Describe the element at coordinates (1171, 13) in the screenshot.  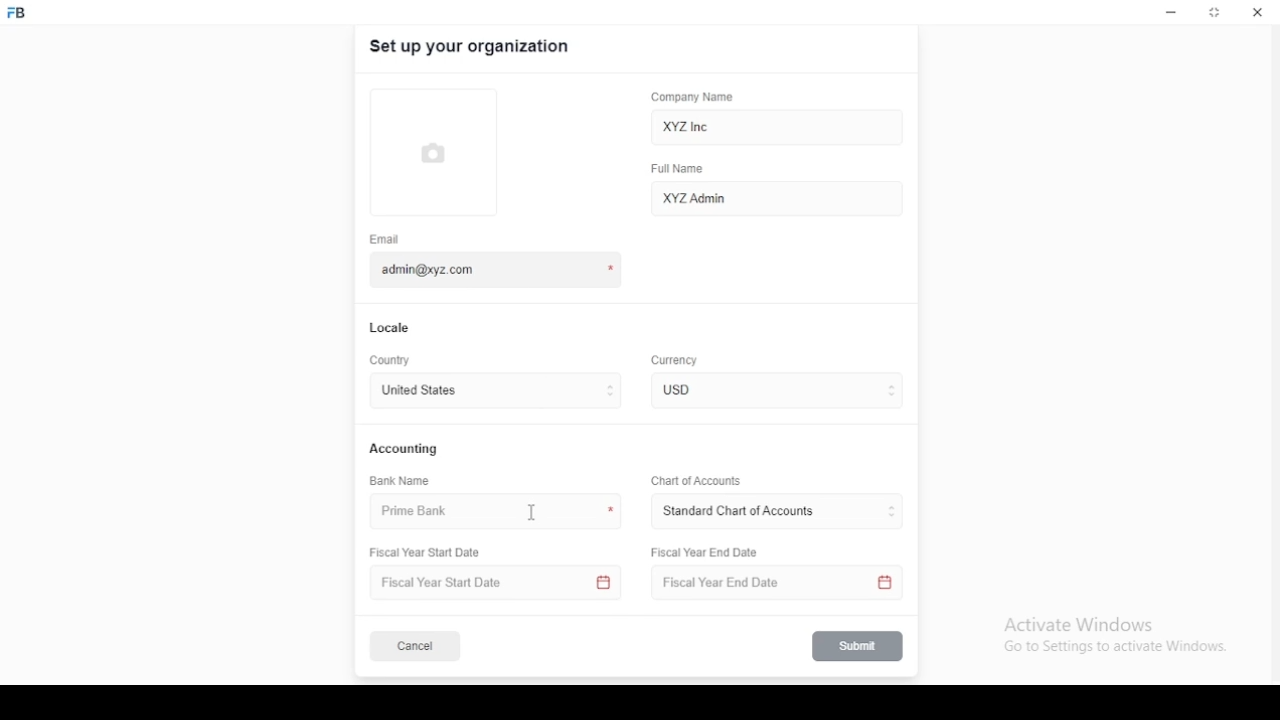
I see `minimize` at that location.